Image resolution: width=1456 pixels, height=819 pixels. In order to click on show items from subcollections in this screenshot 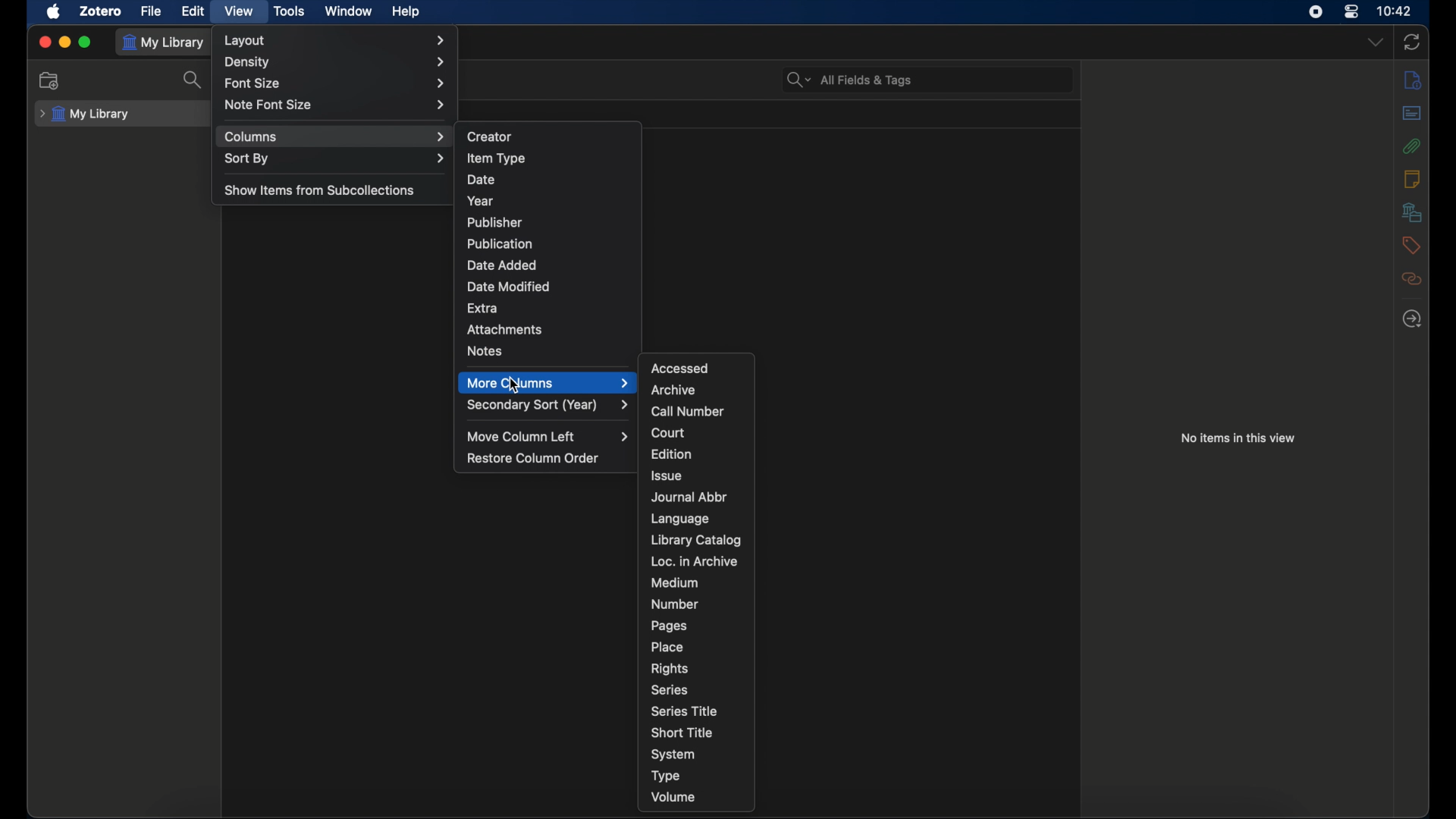, I will do `click(319, 191)`.